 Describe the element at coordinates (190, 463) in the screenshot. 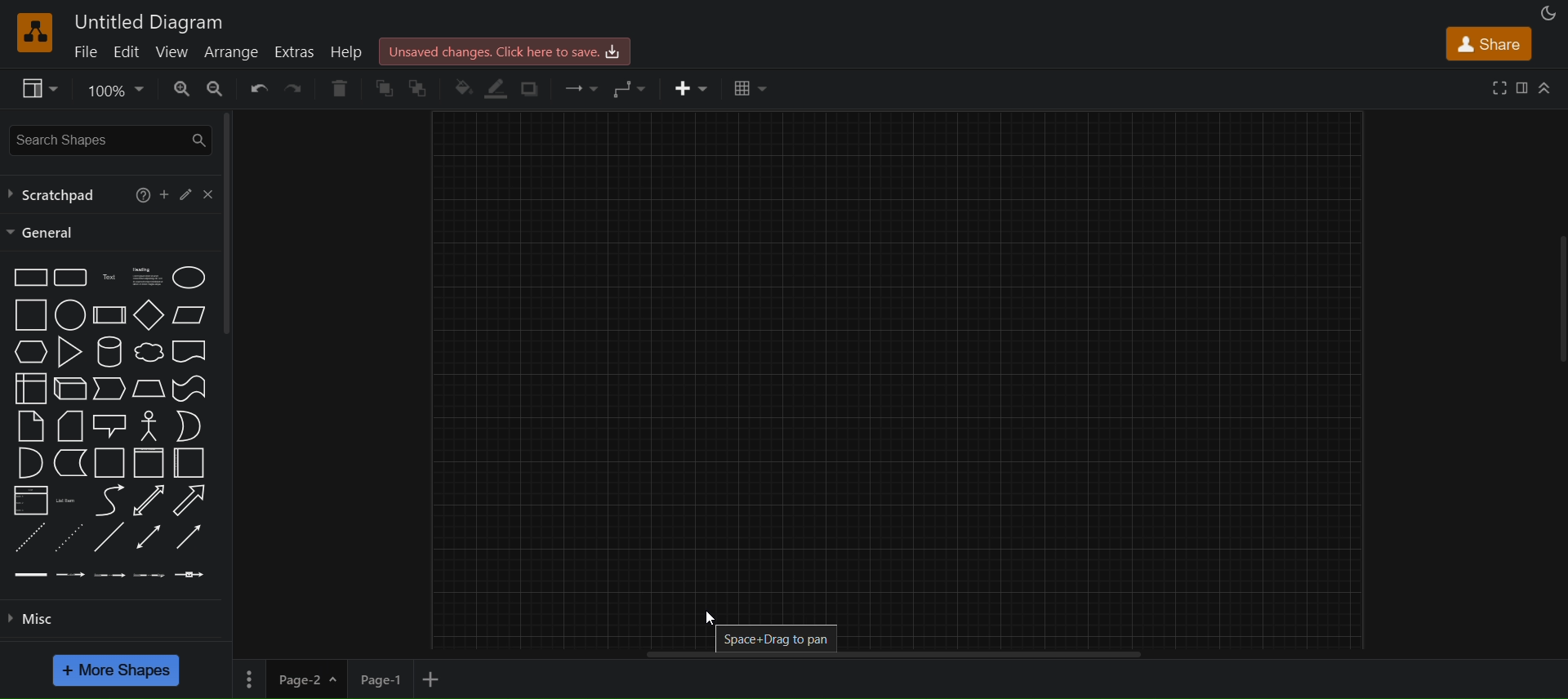

I see `horizontal container` at that location.